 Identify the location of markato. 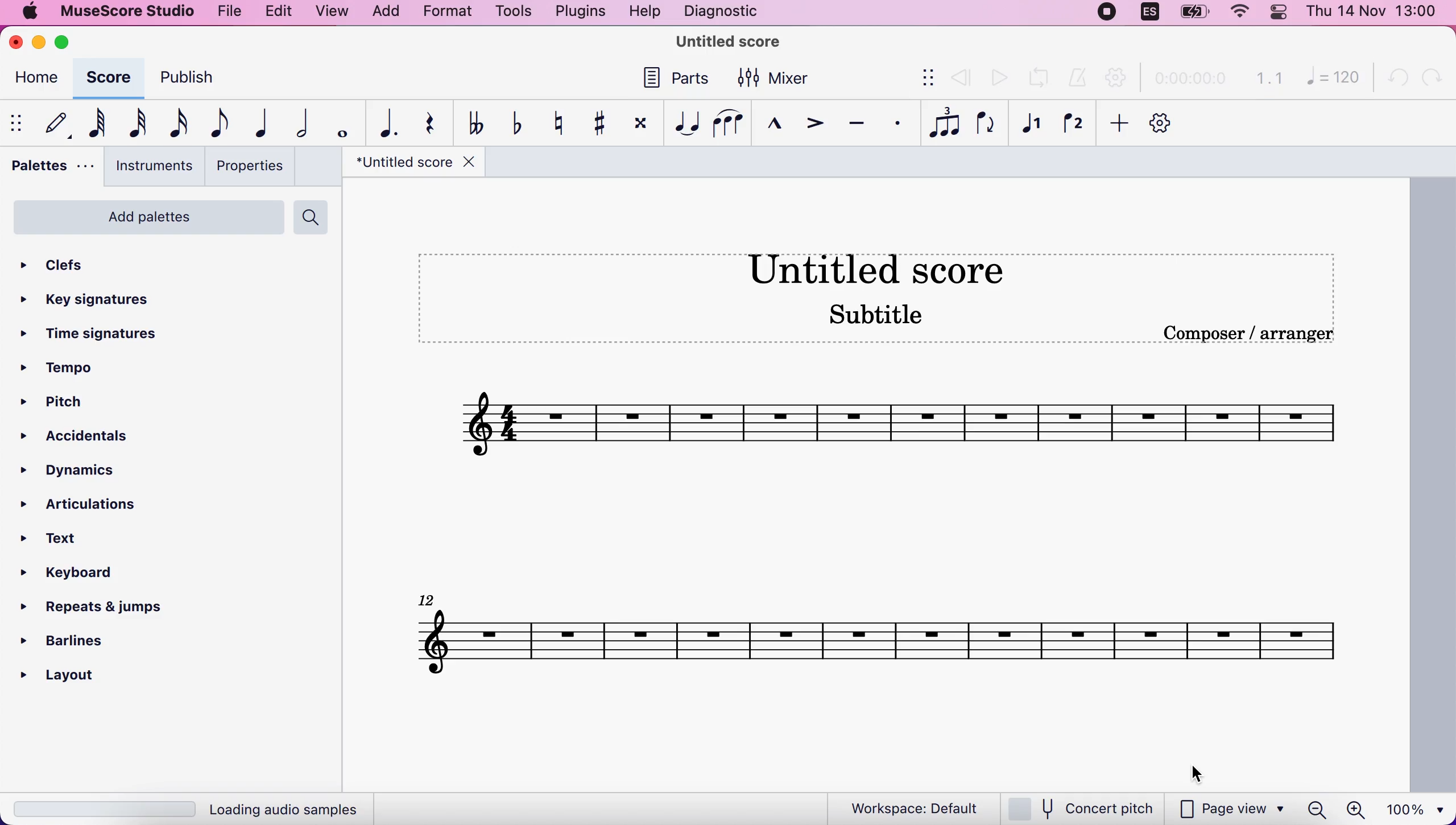
(766, 127).